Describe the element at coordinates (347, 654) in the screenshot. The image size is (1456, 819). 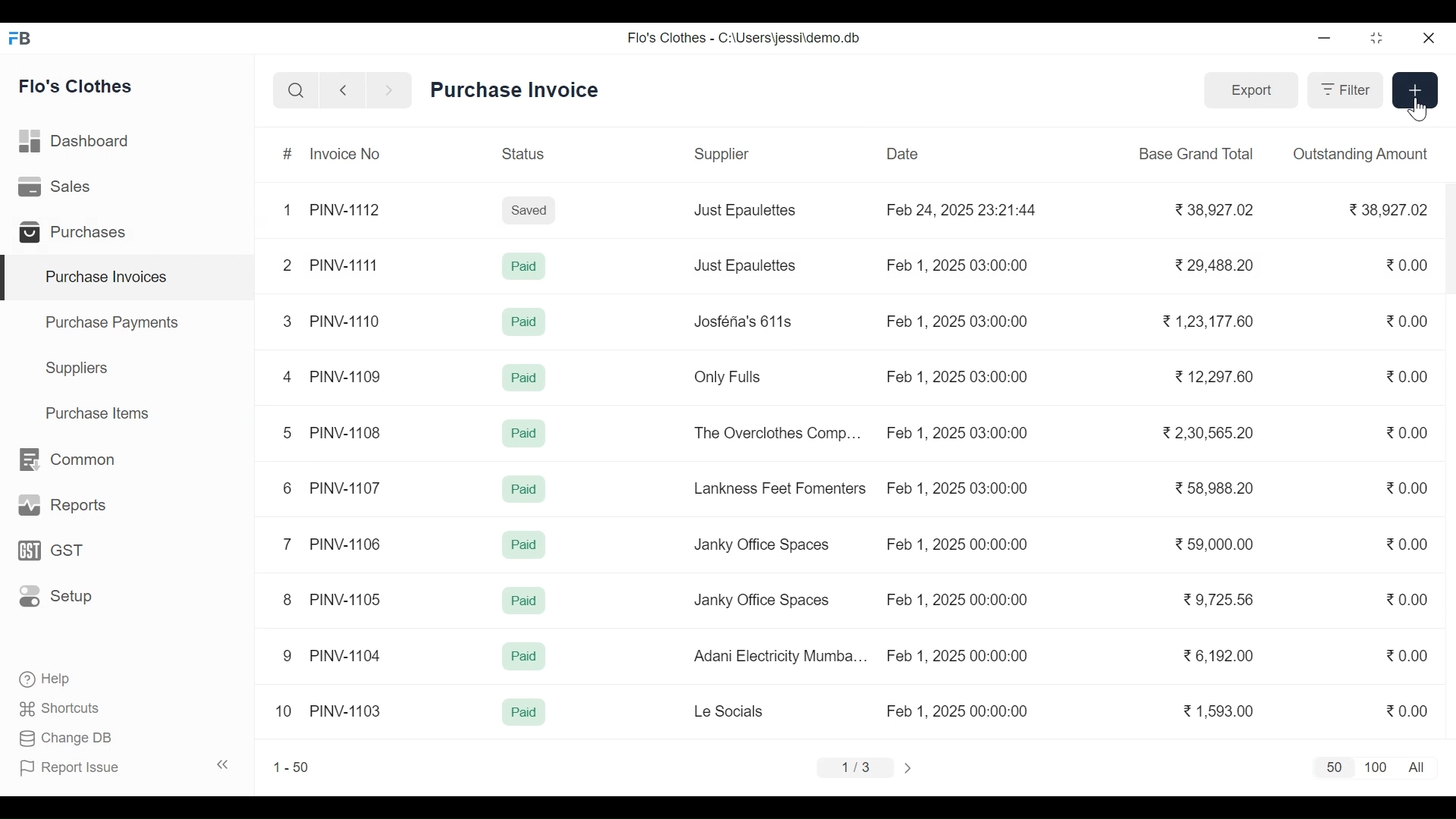
I see `PINV-1104` at that location.